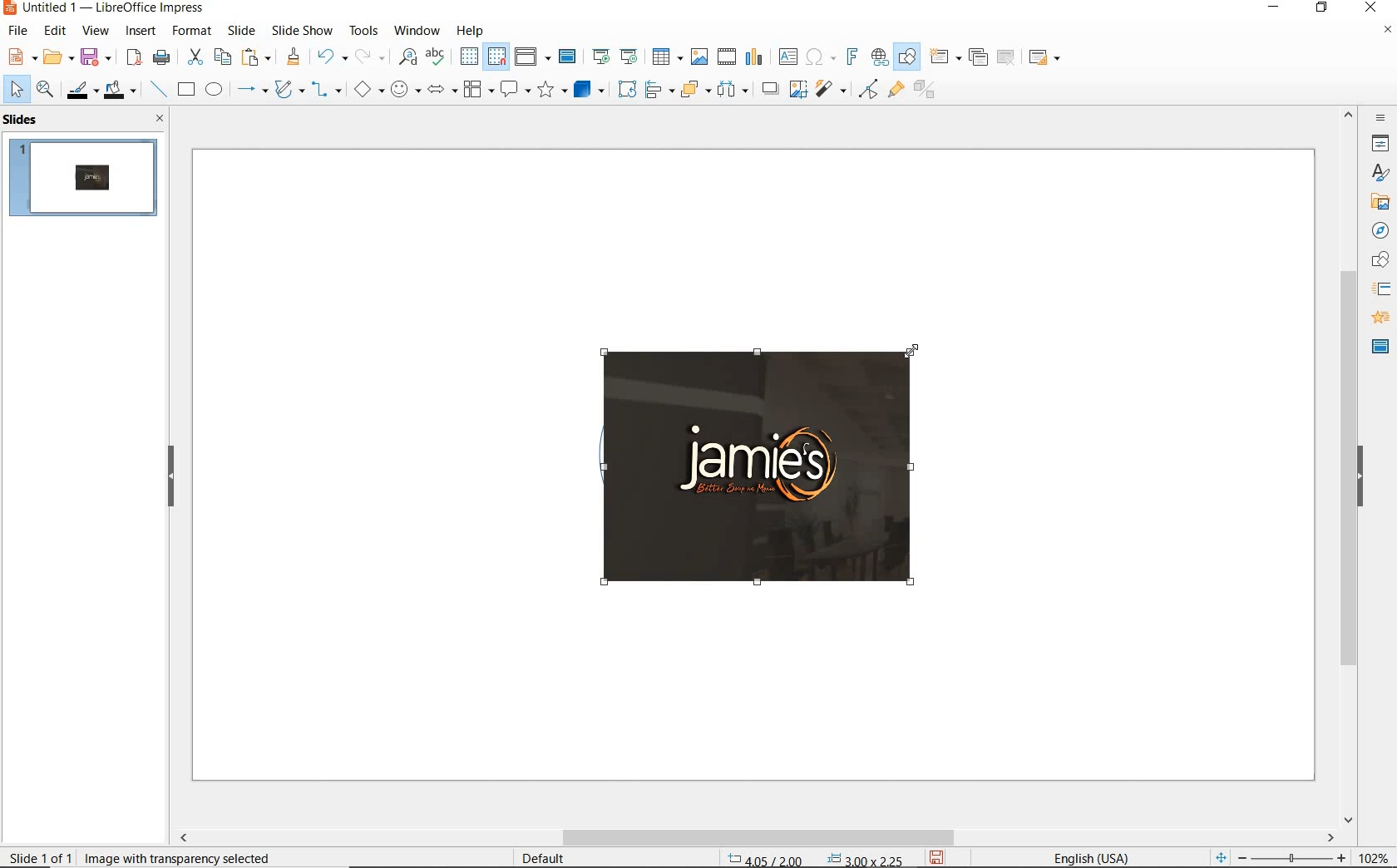 This screenshot has height=868, width=1397. Describe the element at coordinates (161, 56) in the screenshot. I see `print` at that location.